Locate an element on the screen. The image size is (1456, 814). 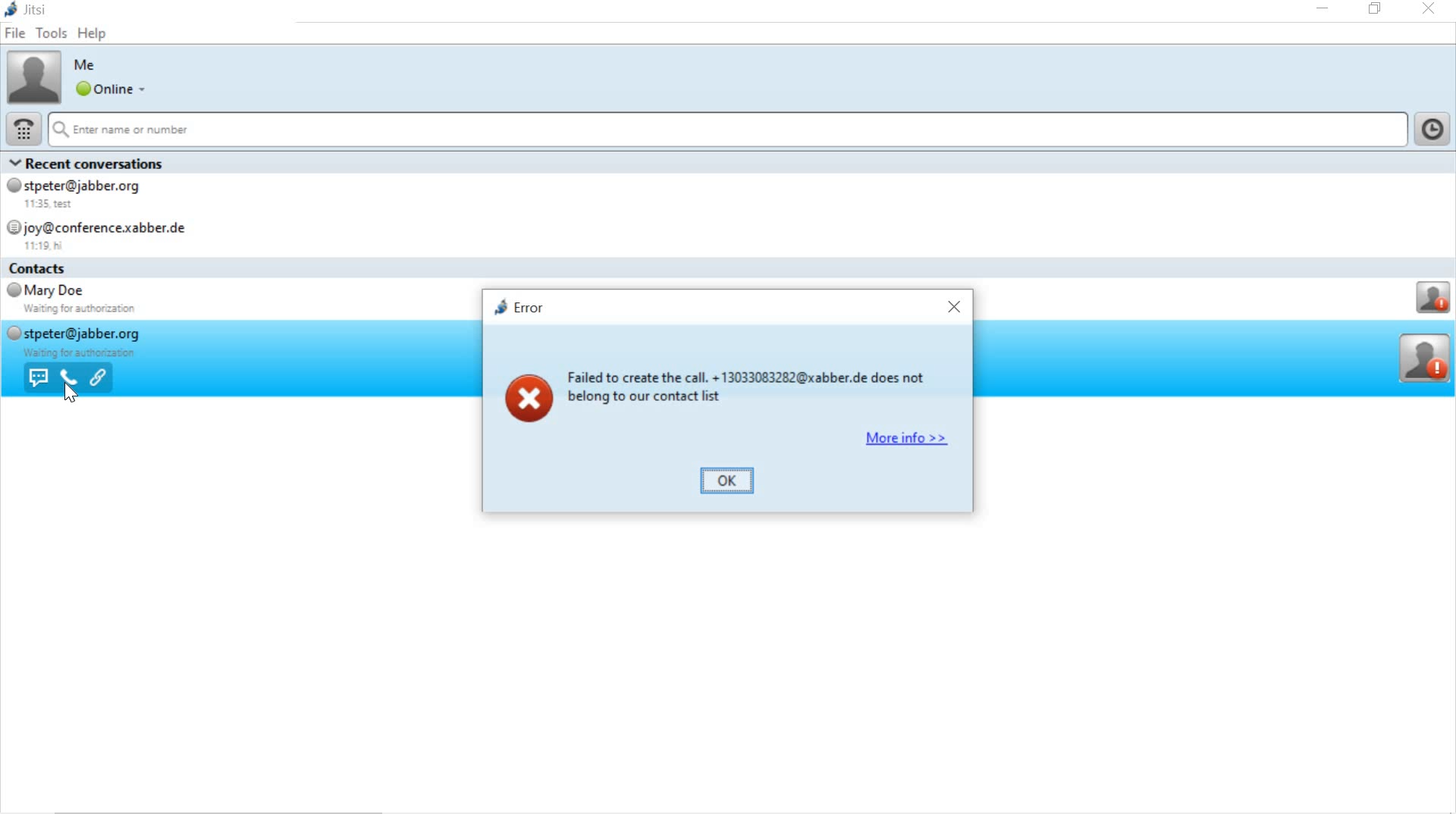
Recent conversations is located at coordinates (95, 162).